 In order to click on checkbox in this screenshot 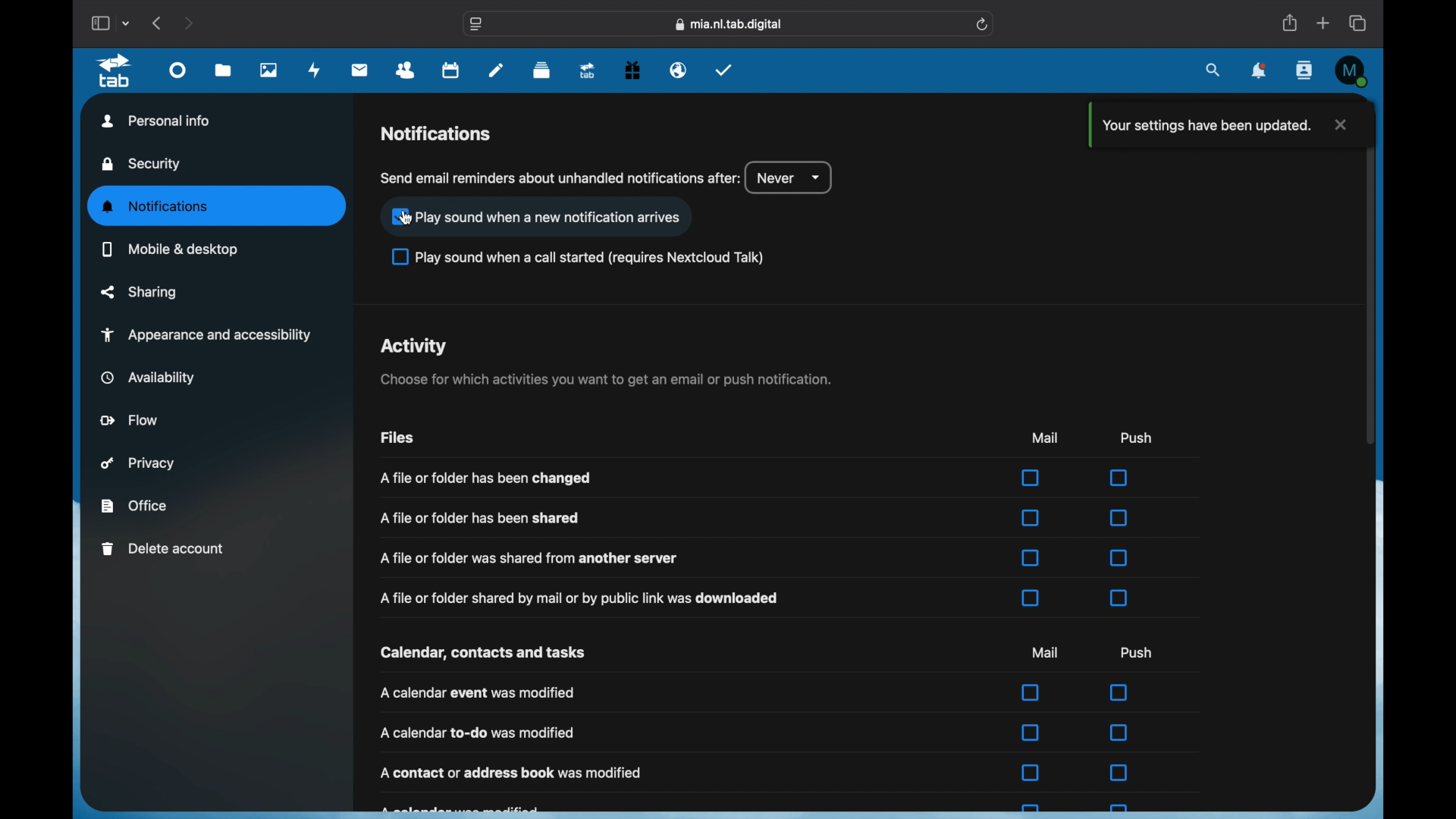, I will do `click(1118, 808)`.